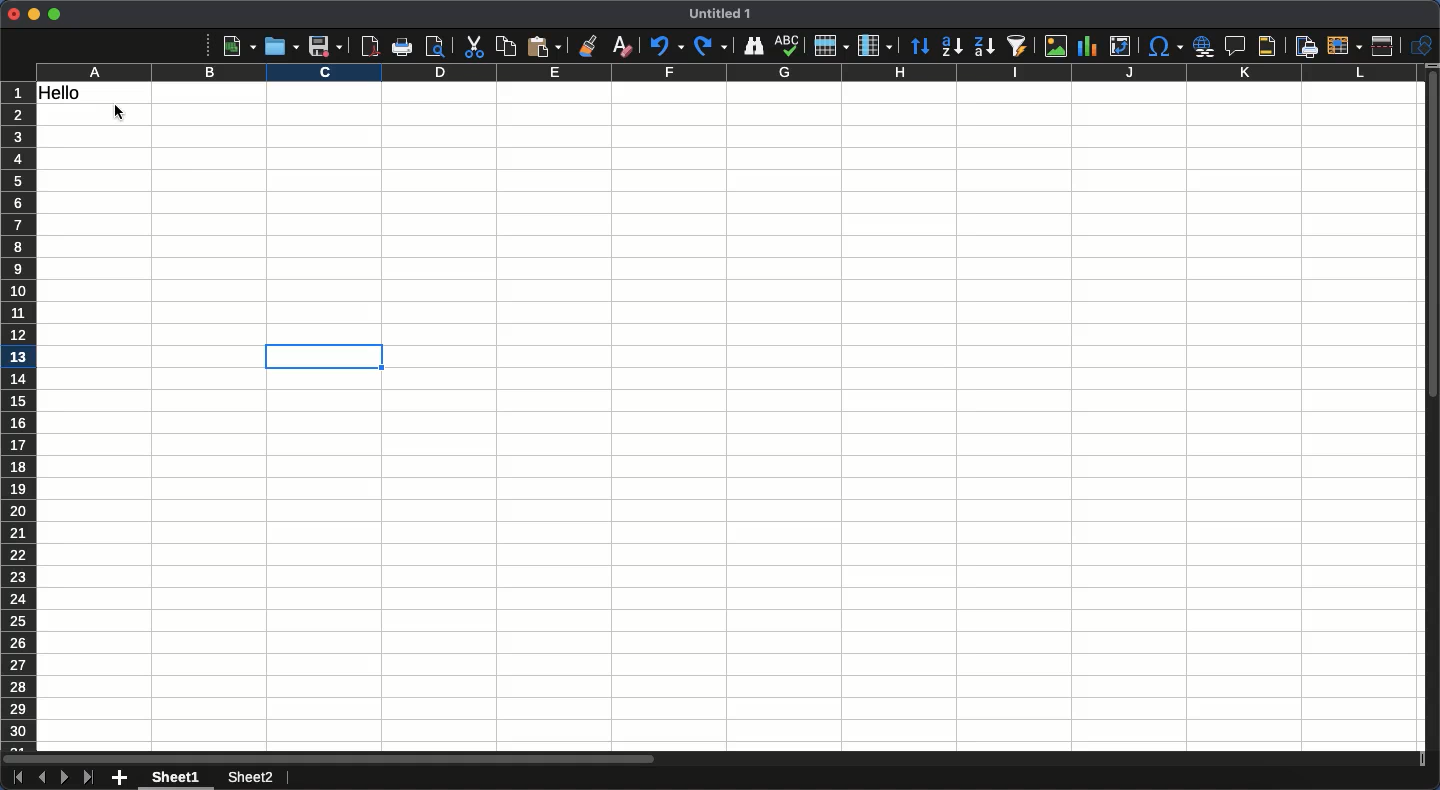 The image size is (1440, 790). What do you see at coordinates (665, 45) in the screenshot?
I see `Undo` at bounding box center [665, 45].